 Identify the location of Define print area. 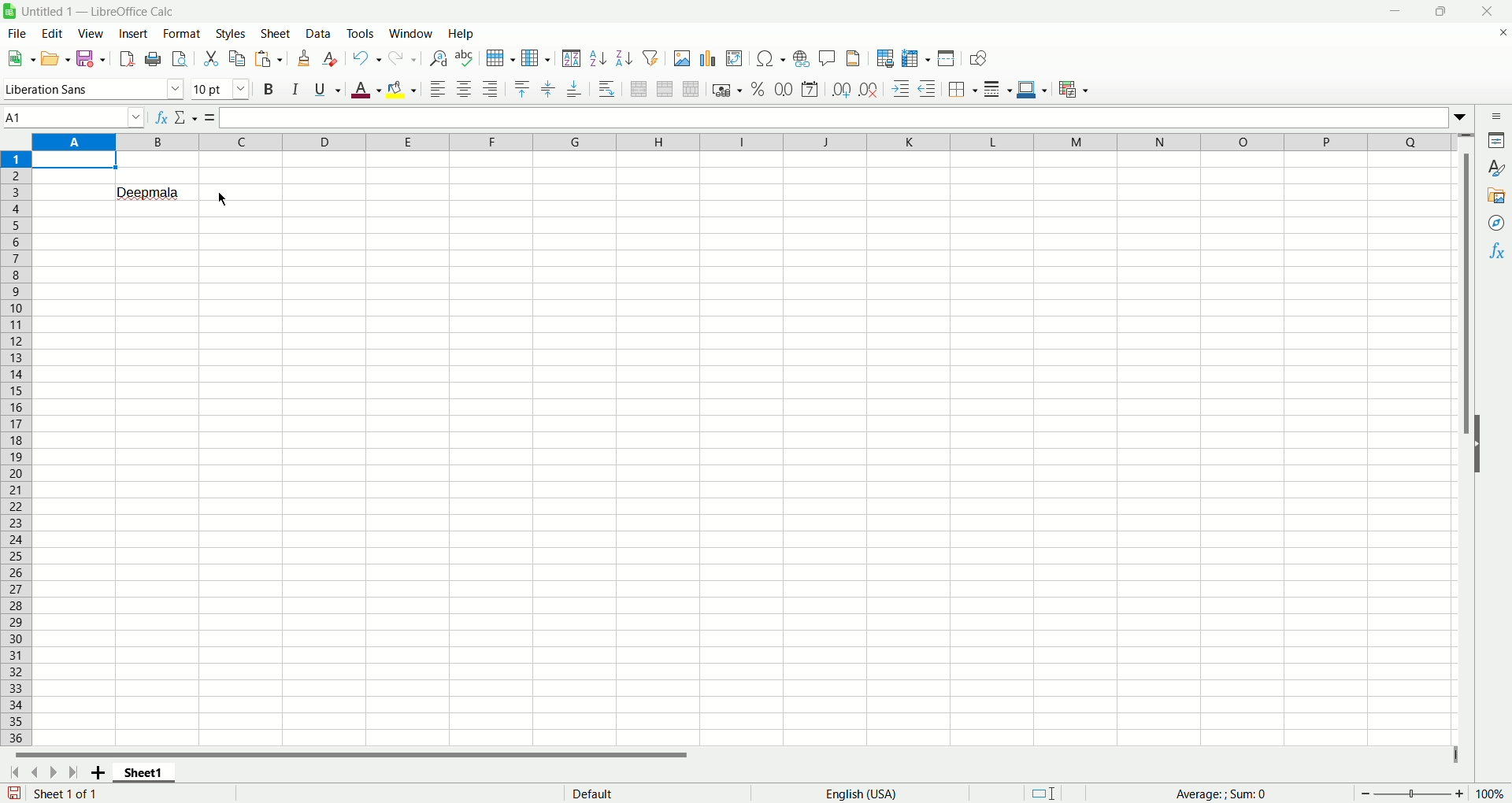
(886, 58).